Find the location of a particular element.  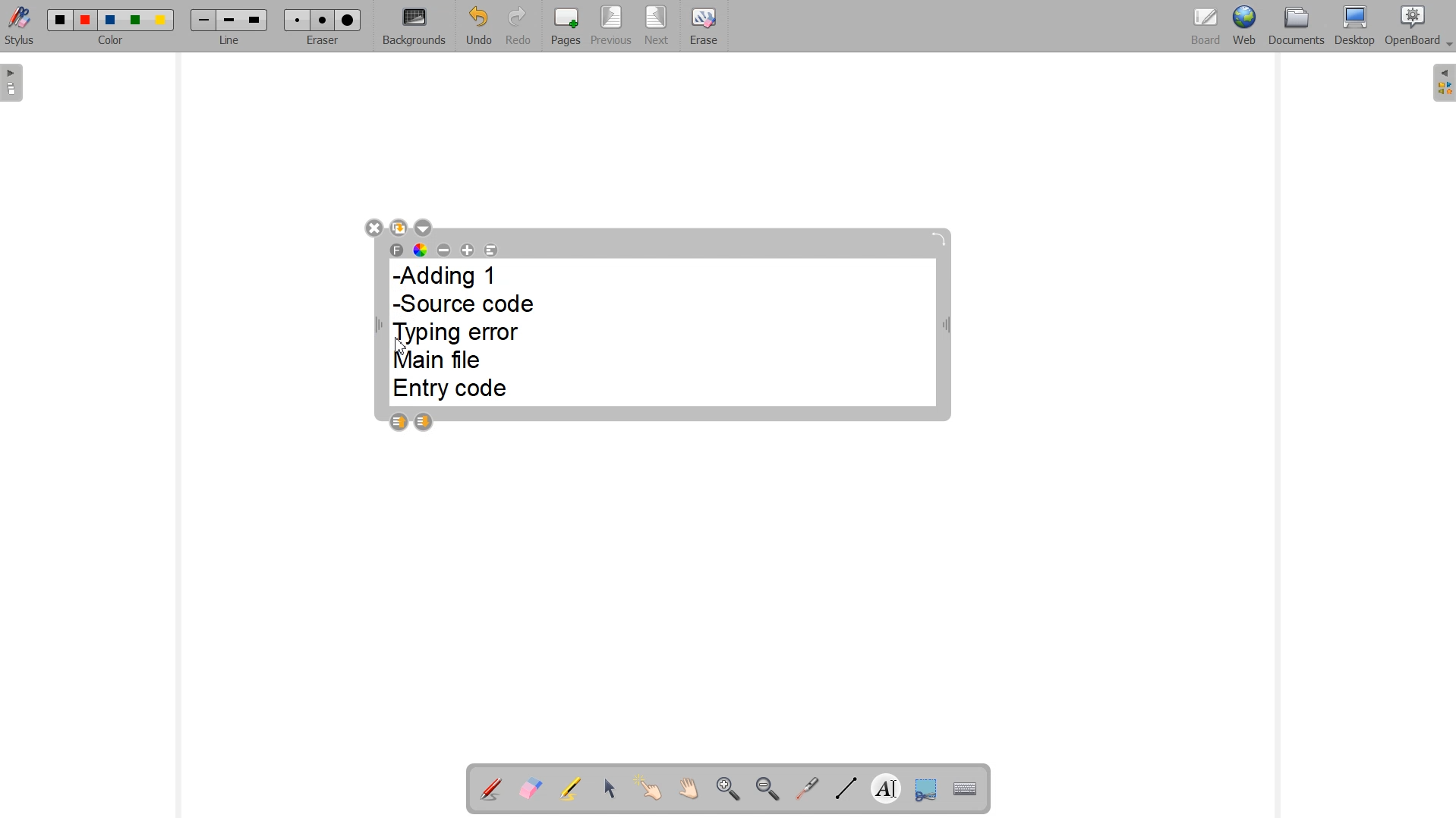

Highlight is located at coordinates (572, 788).